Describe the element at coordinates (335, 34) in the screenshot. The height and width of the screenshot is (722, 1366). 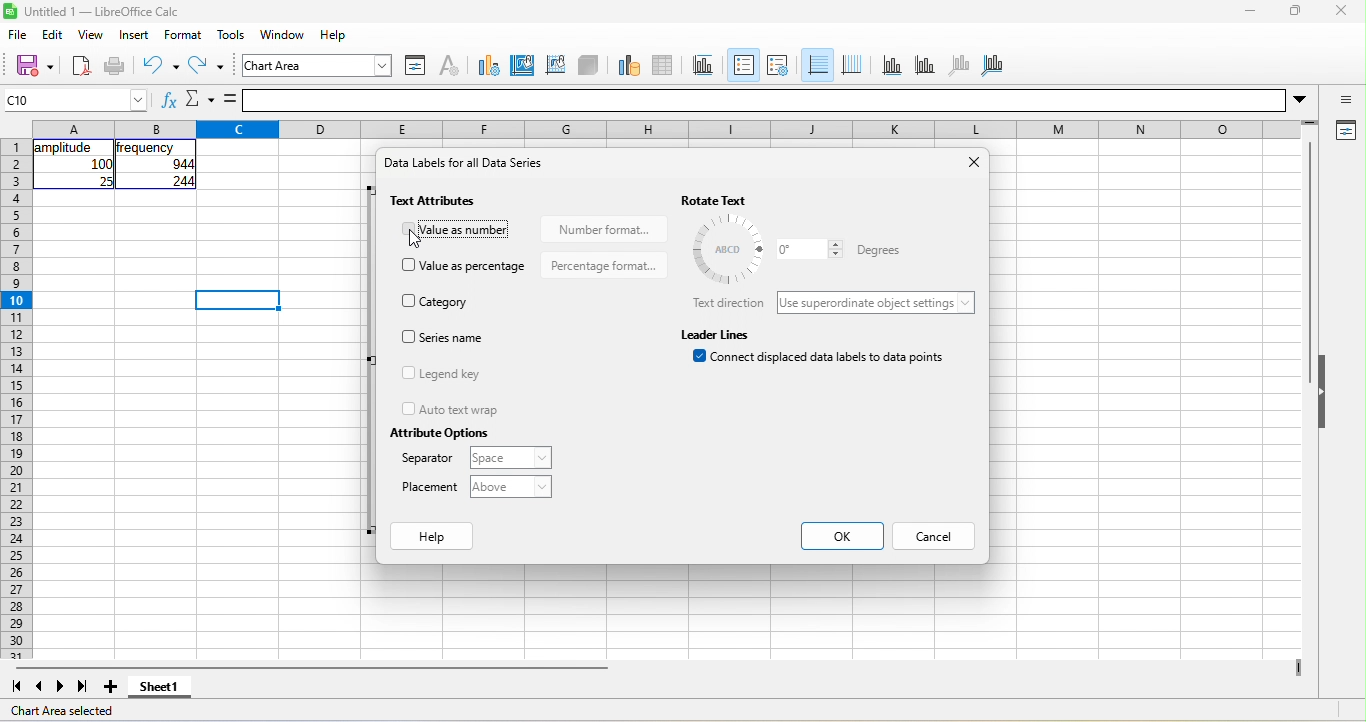
I see `help` at that location.